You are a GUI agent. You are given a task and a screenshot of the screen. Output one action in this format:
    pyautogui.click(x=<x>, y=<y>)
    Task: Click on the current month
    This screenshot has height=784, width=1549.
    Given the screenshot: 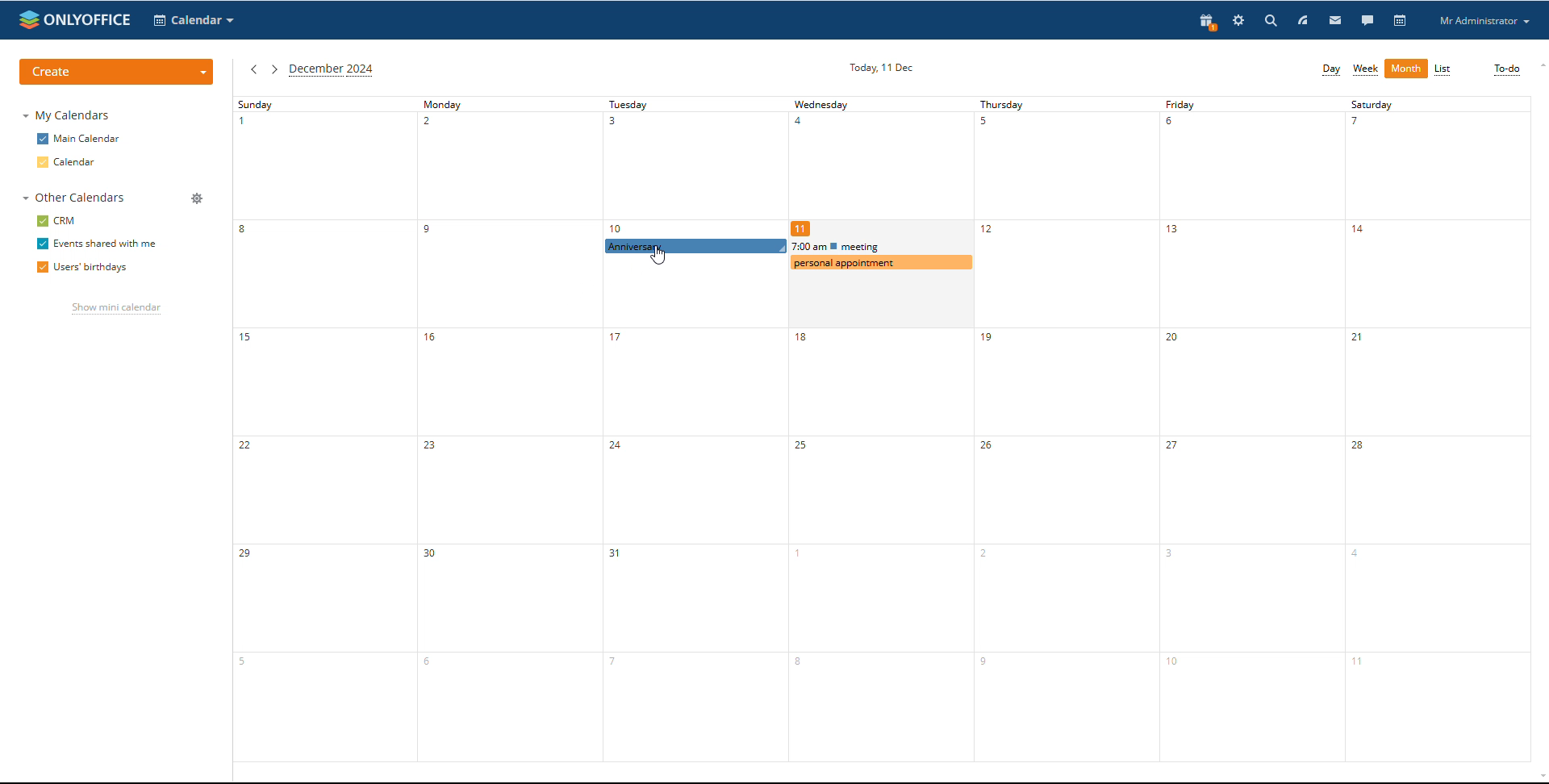 What is the action you would take?
    pyautogui.click(x=335, y=71)
    